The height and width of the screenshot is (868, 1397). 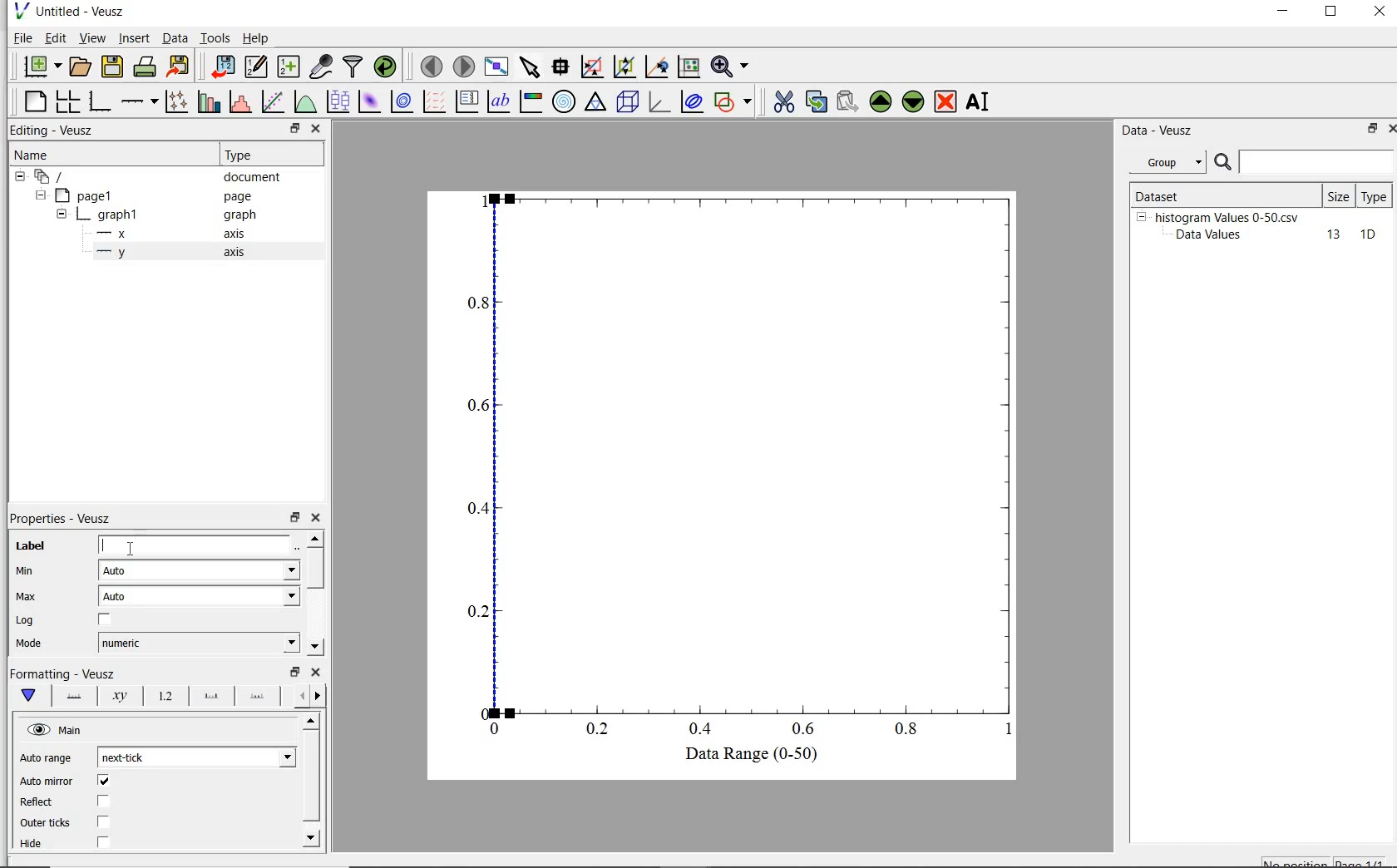 What do you see at coordinates (195, 544) in the screenshot?
I see ` input label` at bounding box center [195, 544].